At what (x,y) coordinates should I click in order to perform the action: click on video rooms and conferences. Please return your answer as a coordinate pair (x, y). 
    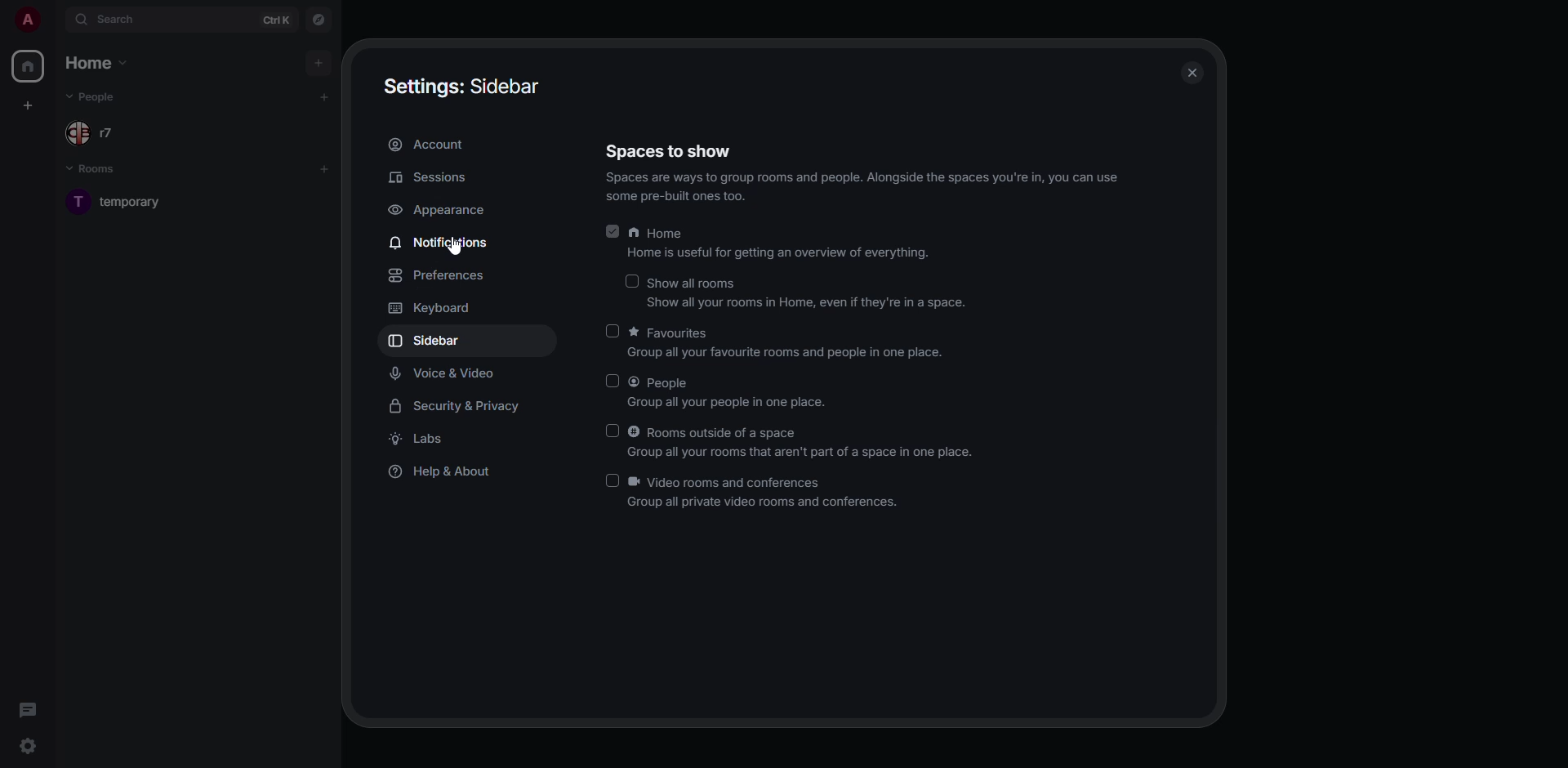
    Looking at the image, I should click on (766, 493).